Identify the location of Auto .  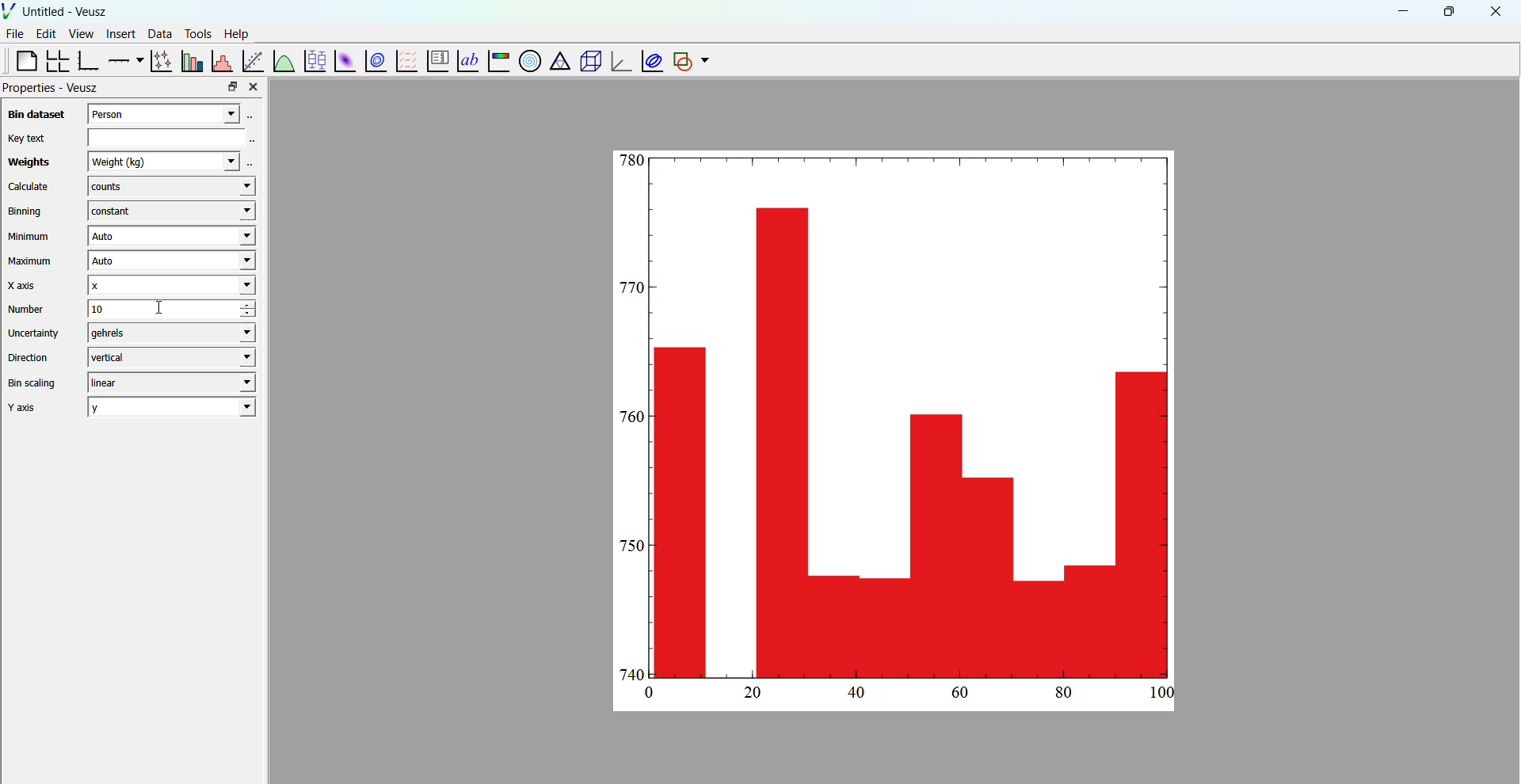
(169, 262).